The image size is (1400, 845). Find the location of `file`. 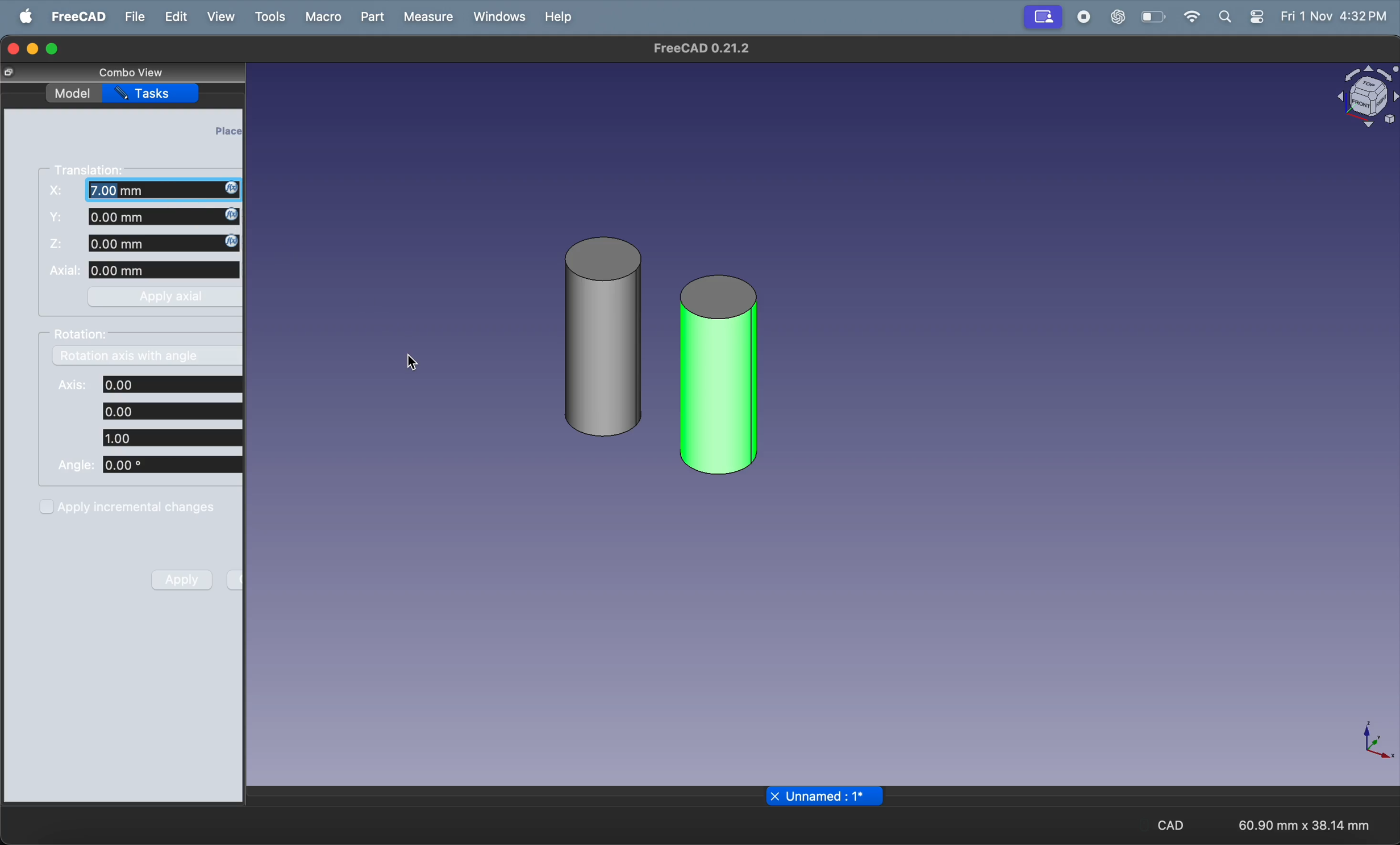

file is located at coordinates (132, 17).